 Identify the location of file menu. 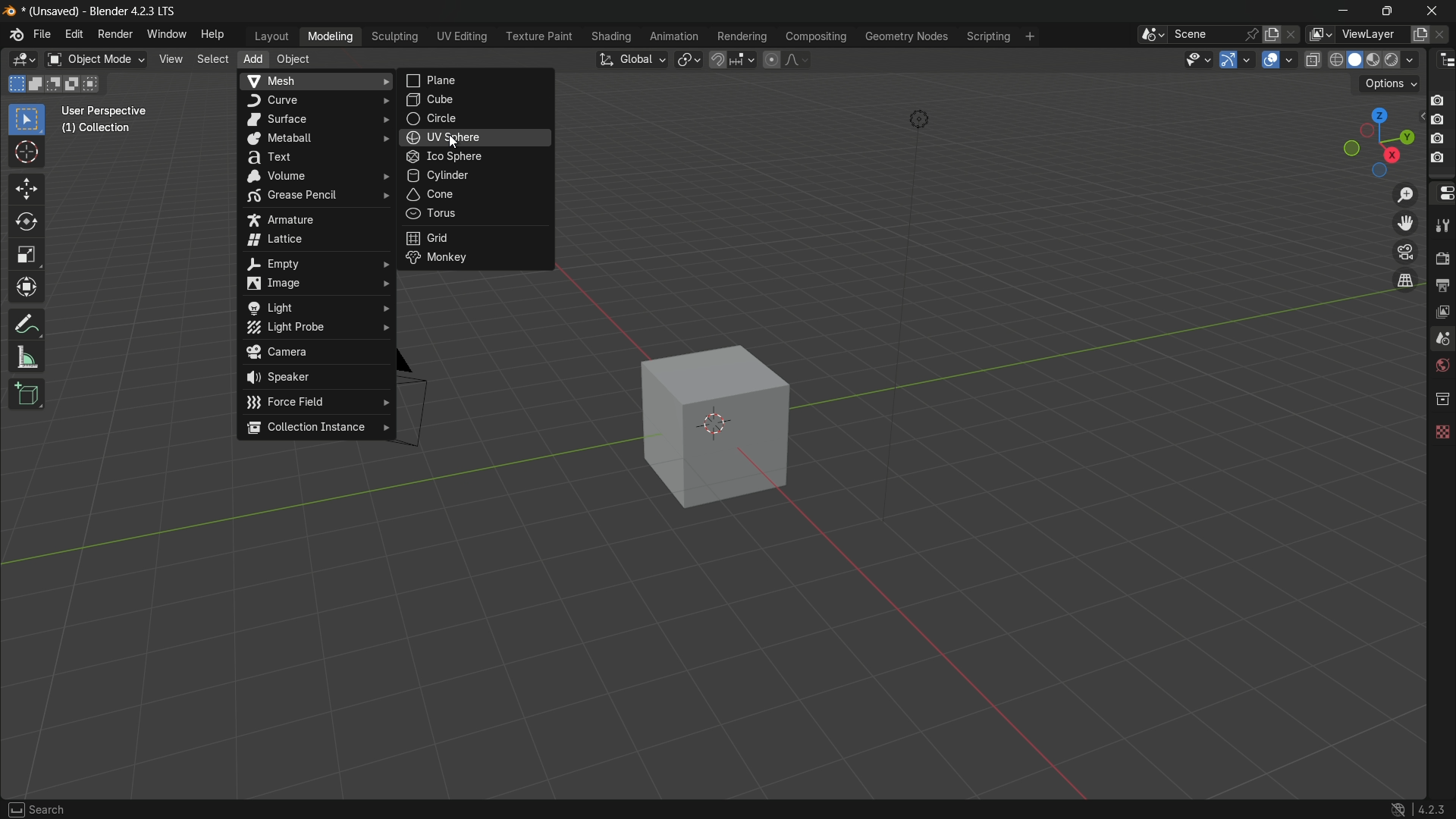
(43, 35).